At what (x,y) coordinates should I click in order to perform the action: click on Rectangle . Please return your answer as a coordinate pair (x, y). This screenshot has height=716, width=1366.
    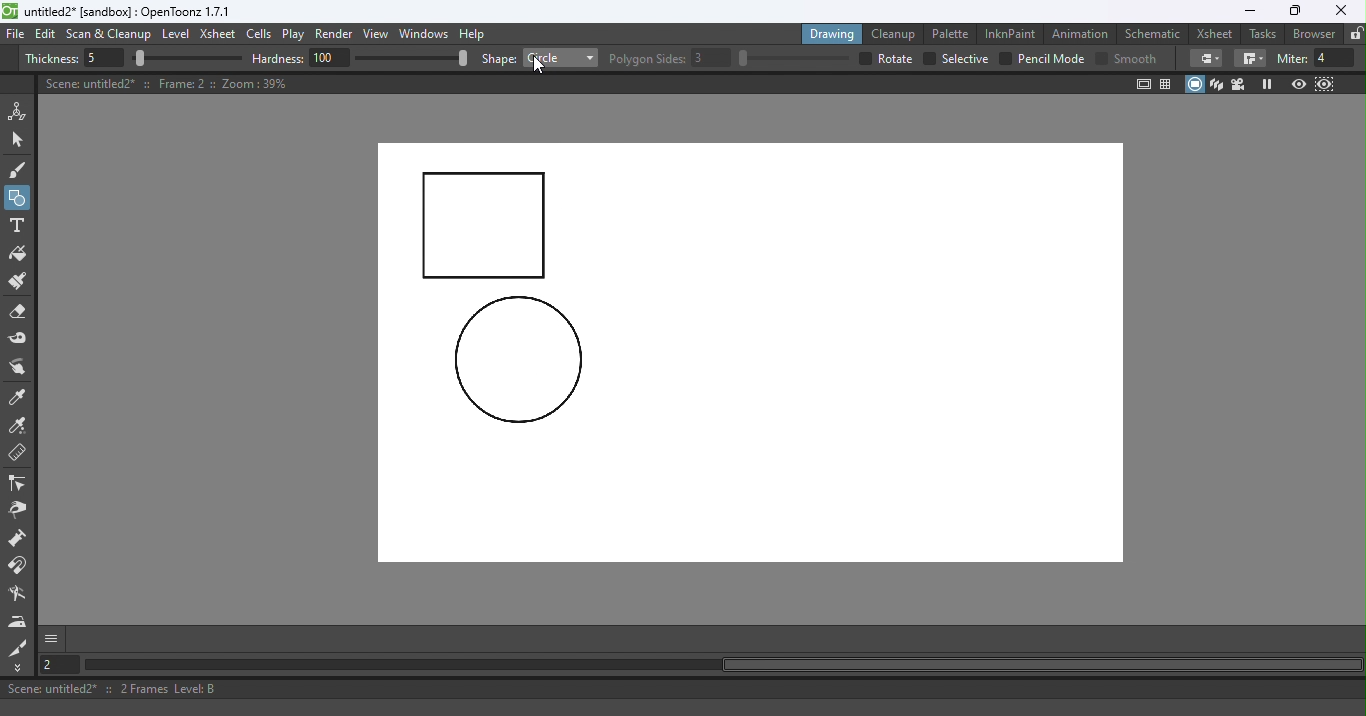
    Looking at the image, I should click on (560, 58).